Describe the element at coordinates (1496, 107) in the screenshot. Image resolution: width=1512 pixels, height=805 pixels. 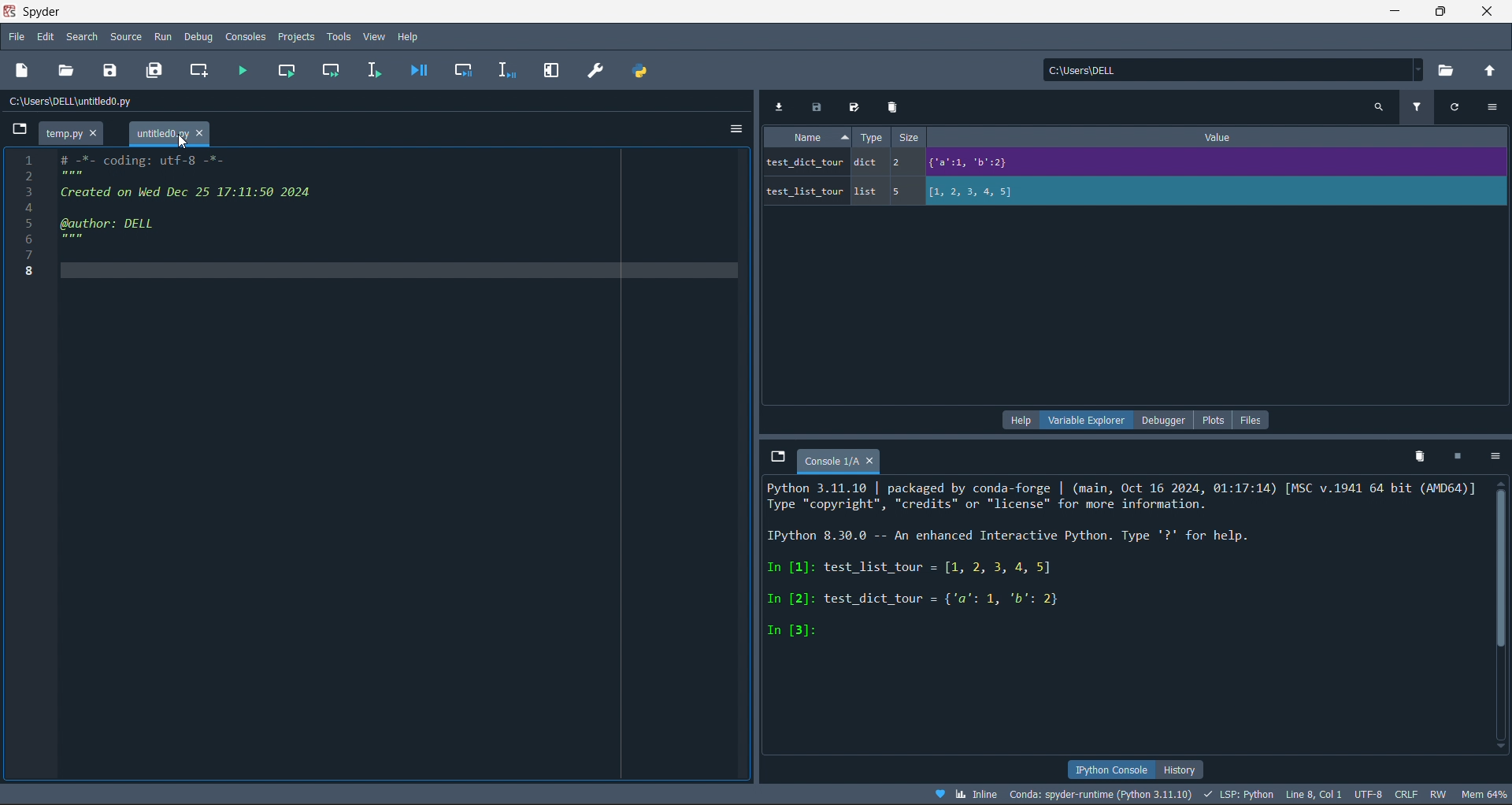
I see `options` at that location.